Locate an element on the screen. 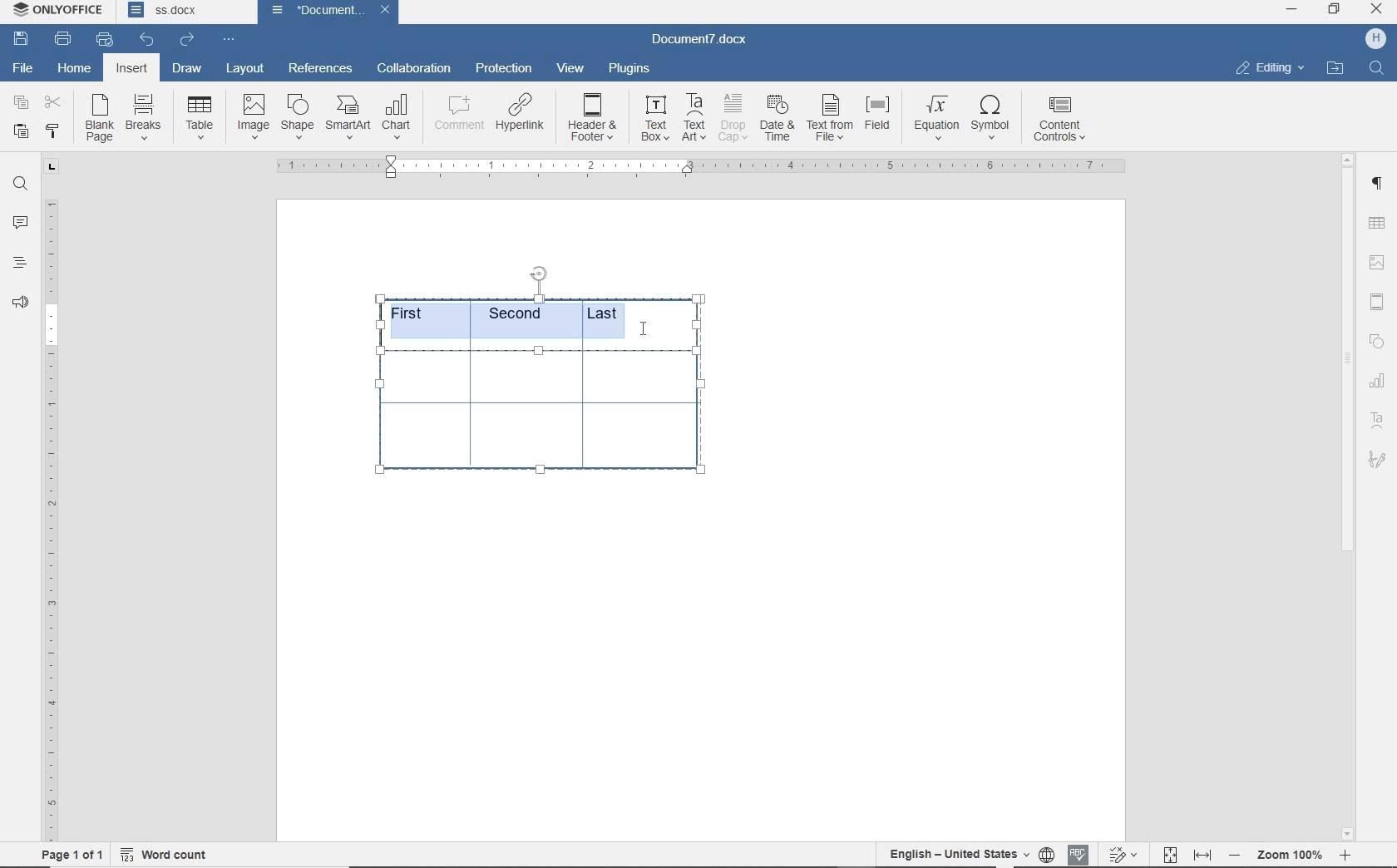  HP is located at coordinates (1374, 38).